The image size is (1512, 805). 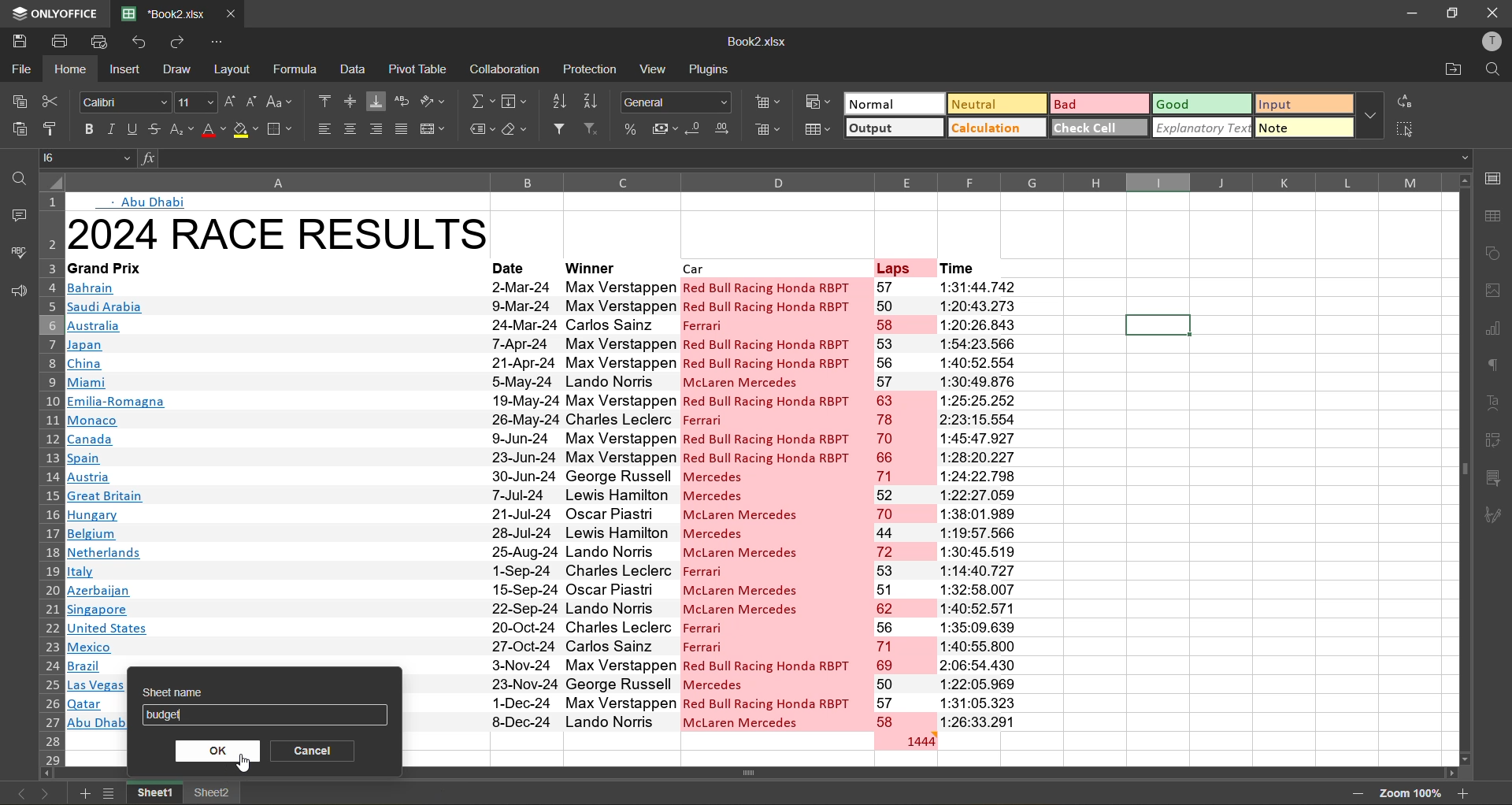 What do you see at coordinates (143, 43) in the screenshot?
I see `undo` at bounding box center [143, 43].